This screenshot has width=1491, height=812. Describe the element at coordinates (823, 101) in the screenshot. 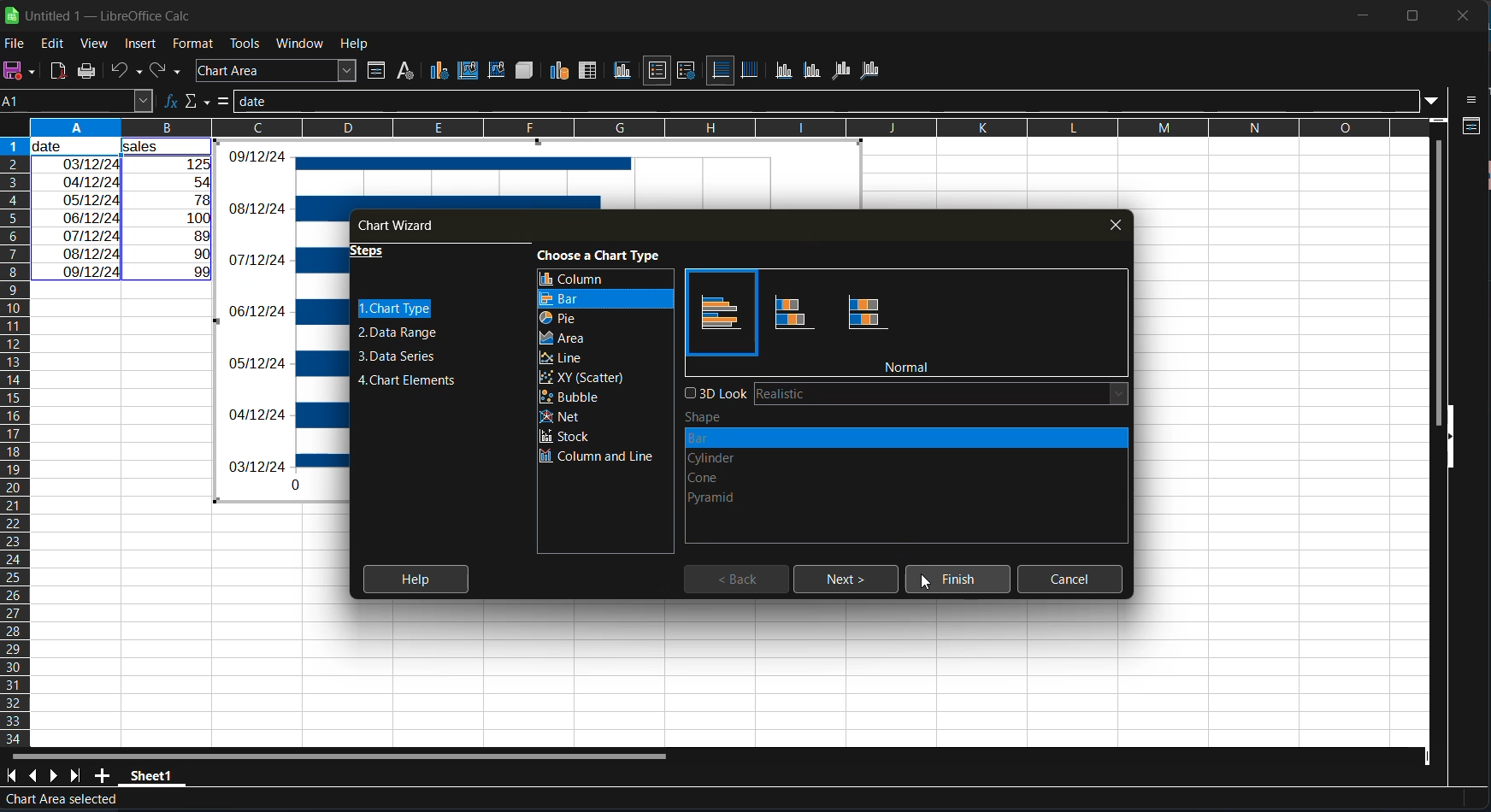

I see `input line` at that location.